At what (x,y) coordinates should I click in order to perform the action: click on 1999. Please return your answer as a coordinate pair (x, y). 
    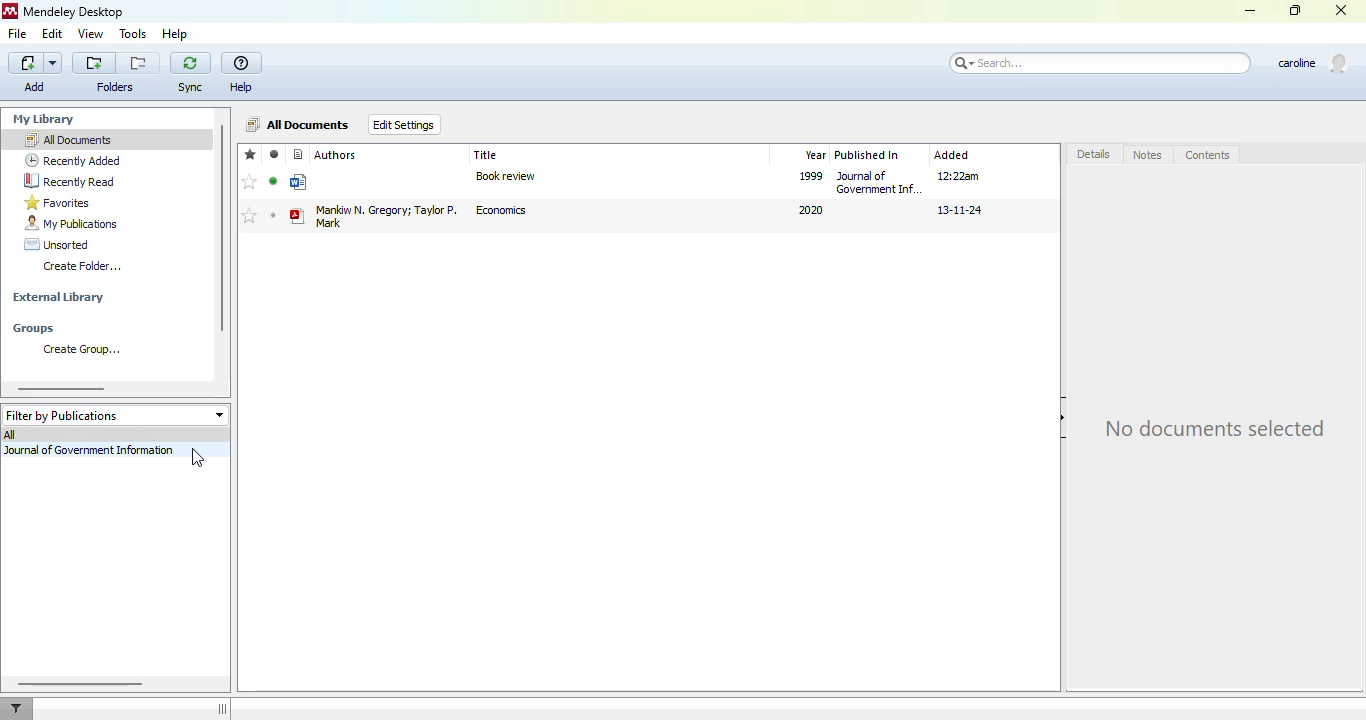
    Looking at the image, I should click on (811, 175).